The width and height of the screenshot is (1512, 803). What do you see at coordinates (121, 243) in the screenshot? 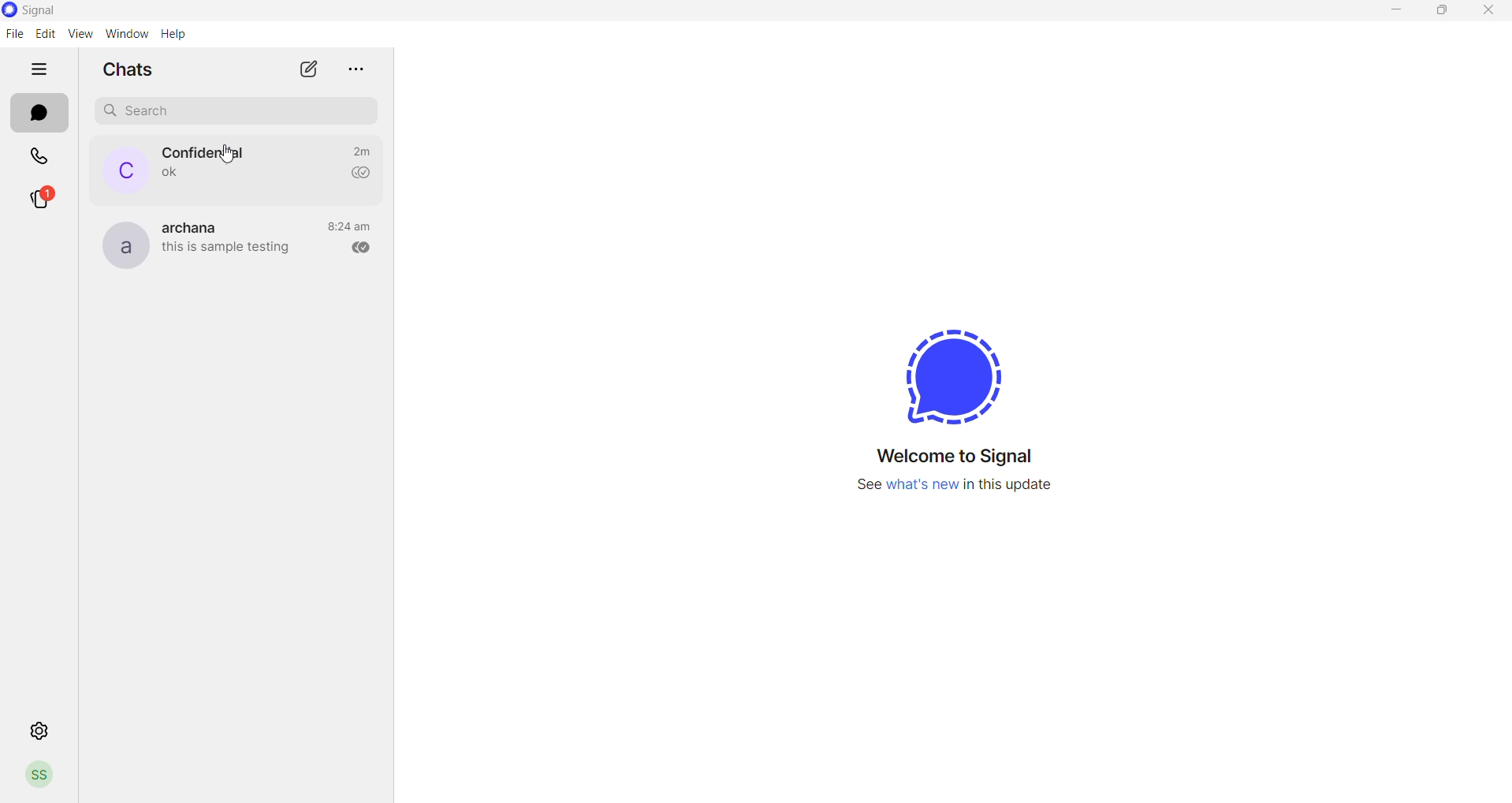
I see `profile picture` at bounding box center [121, 243].